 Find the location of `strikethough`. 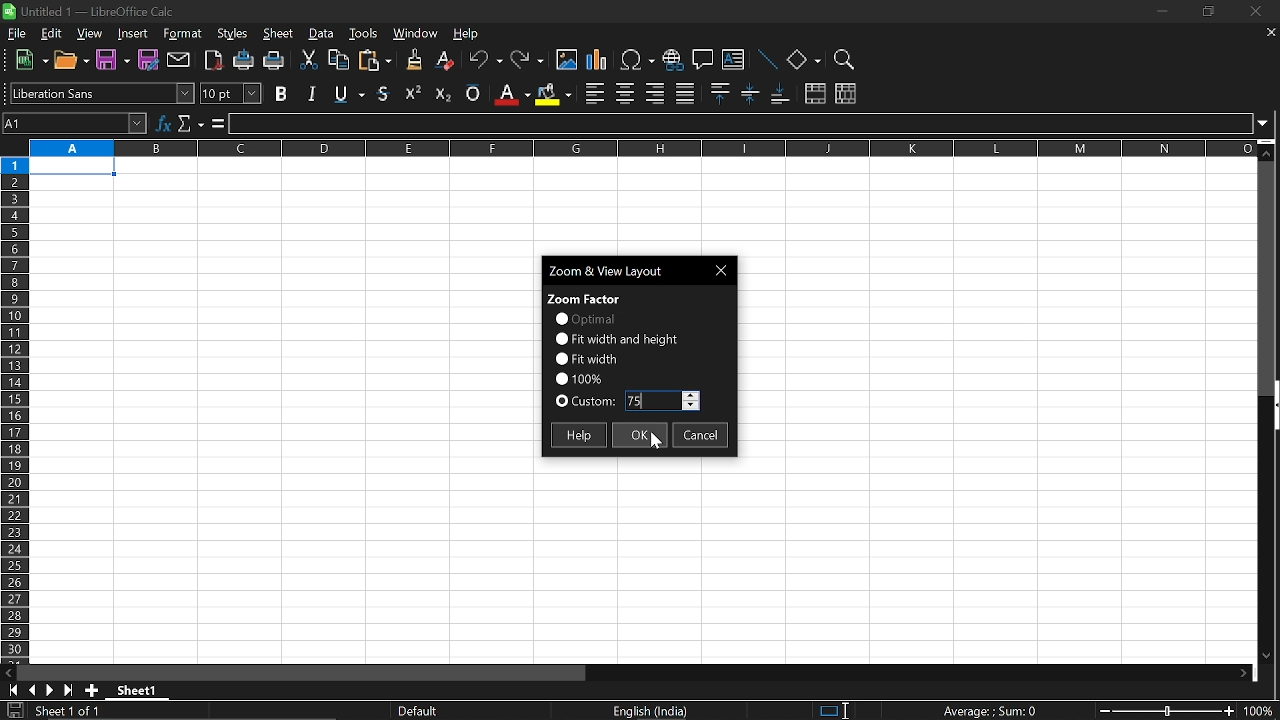

strikethough is located at coordinates (350, 92).